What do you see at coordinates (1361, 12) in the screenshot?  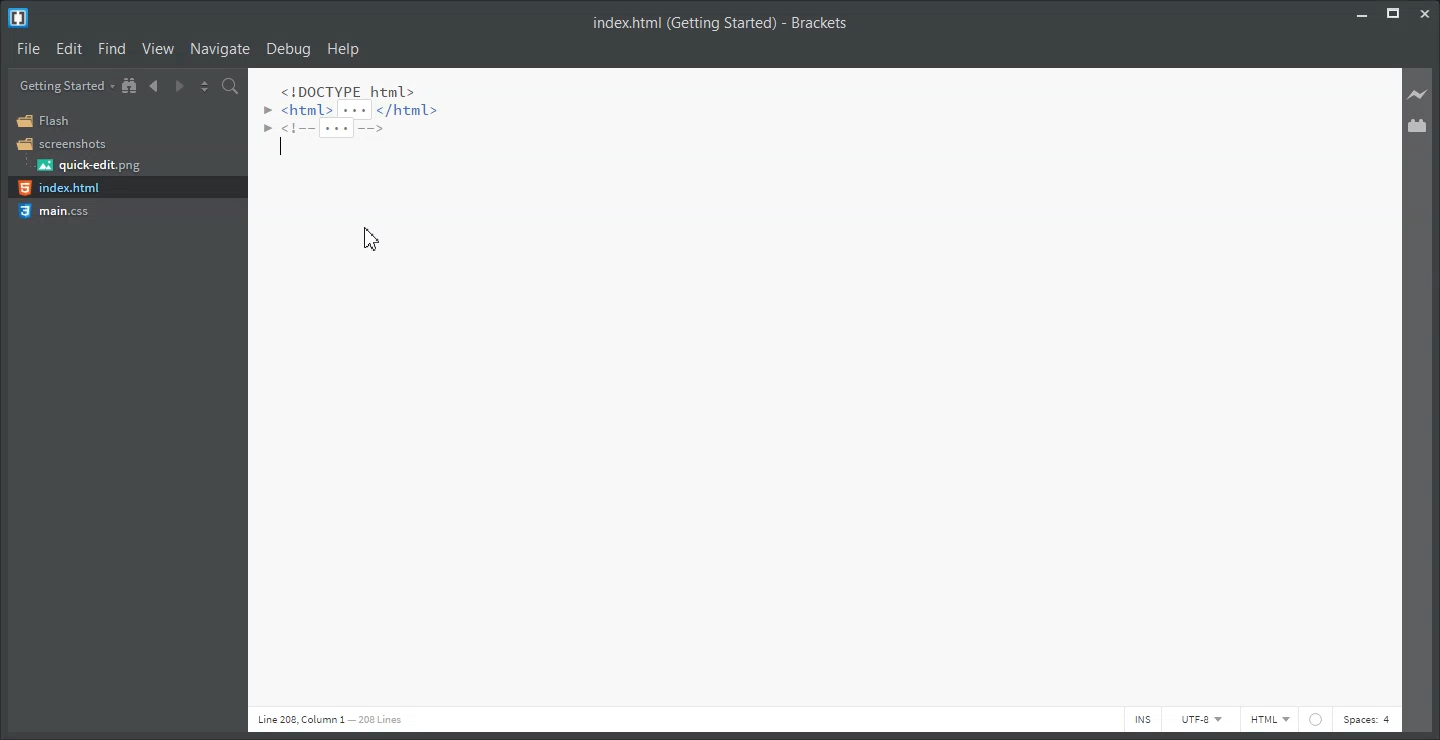 I see `Minimize` at bounding box center [1361, 12].